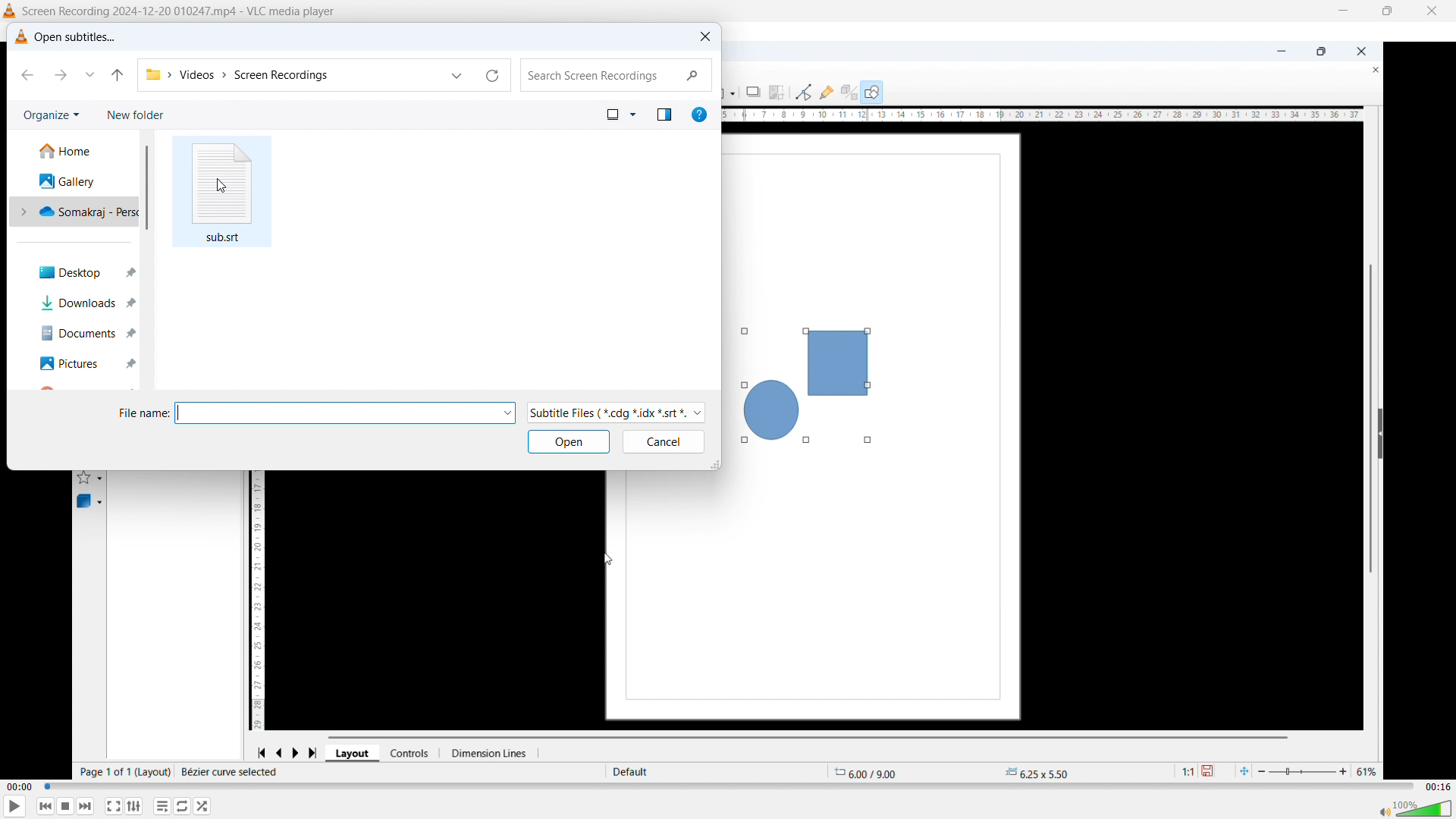  Describe the element at coordinates (80, 271) in the screenshot. I see `Desktop folder ` at that location.